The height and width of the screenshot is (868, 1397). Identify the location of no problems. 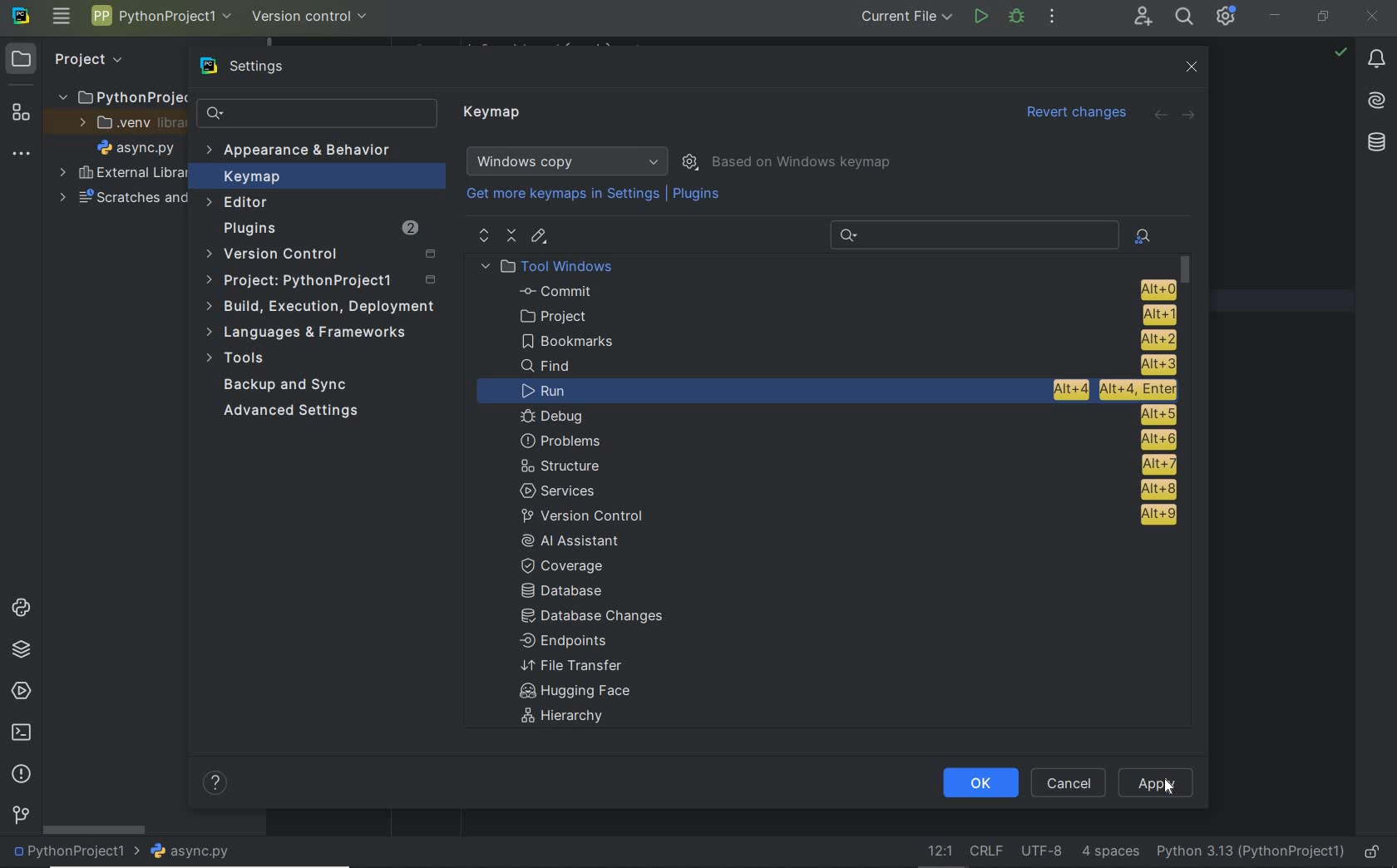
(1340, 52).